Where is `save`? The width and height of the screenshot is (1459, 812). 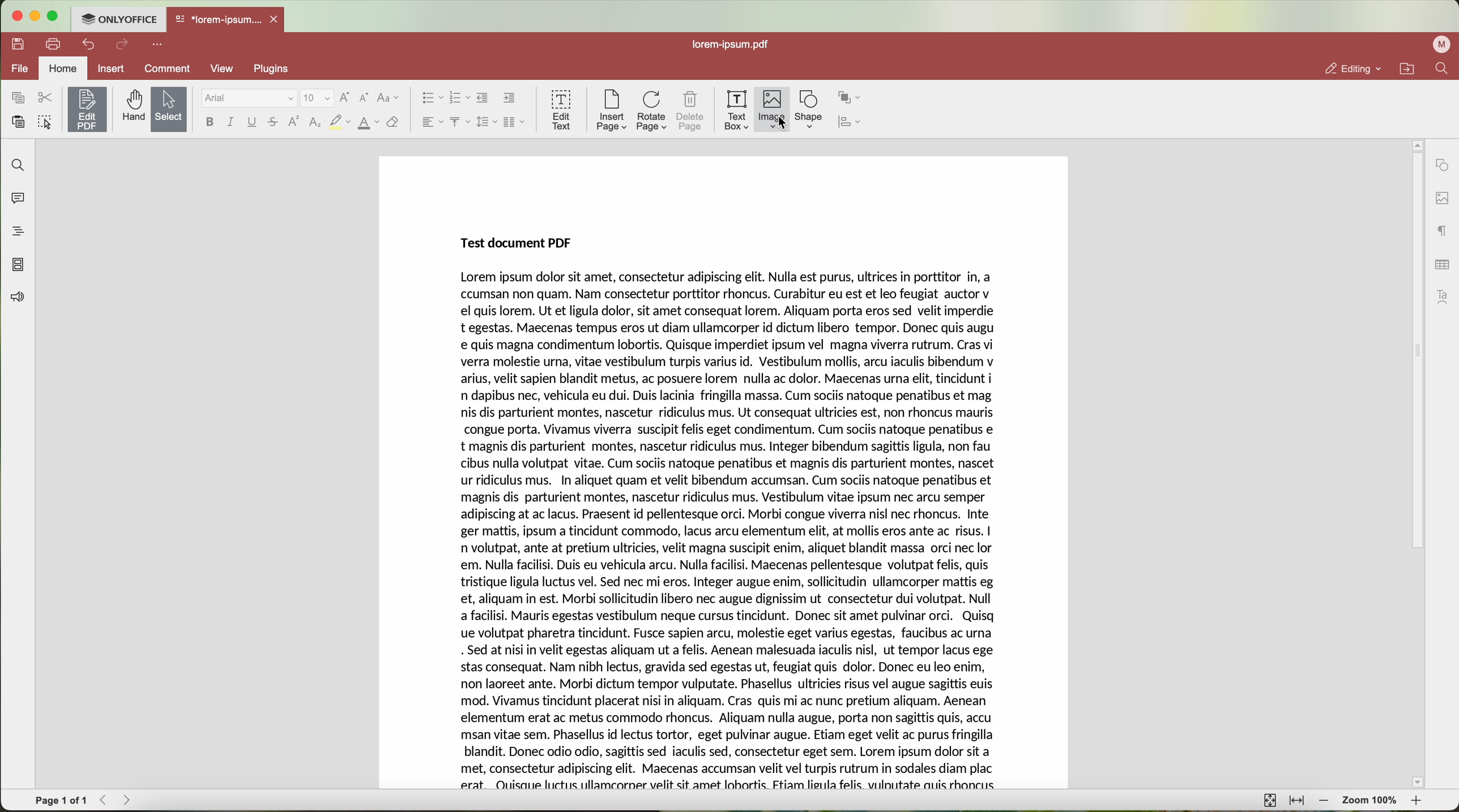
save is located at coordinates (15, 43).